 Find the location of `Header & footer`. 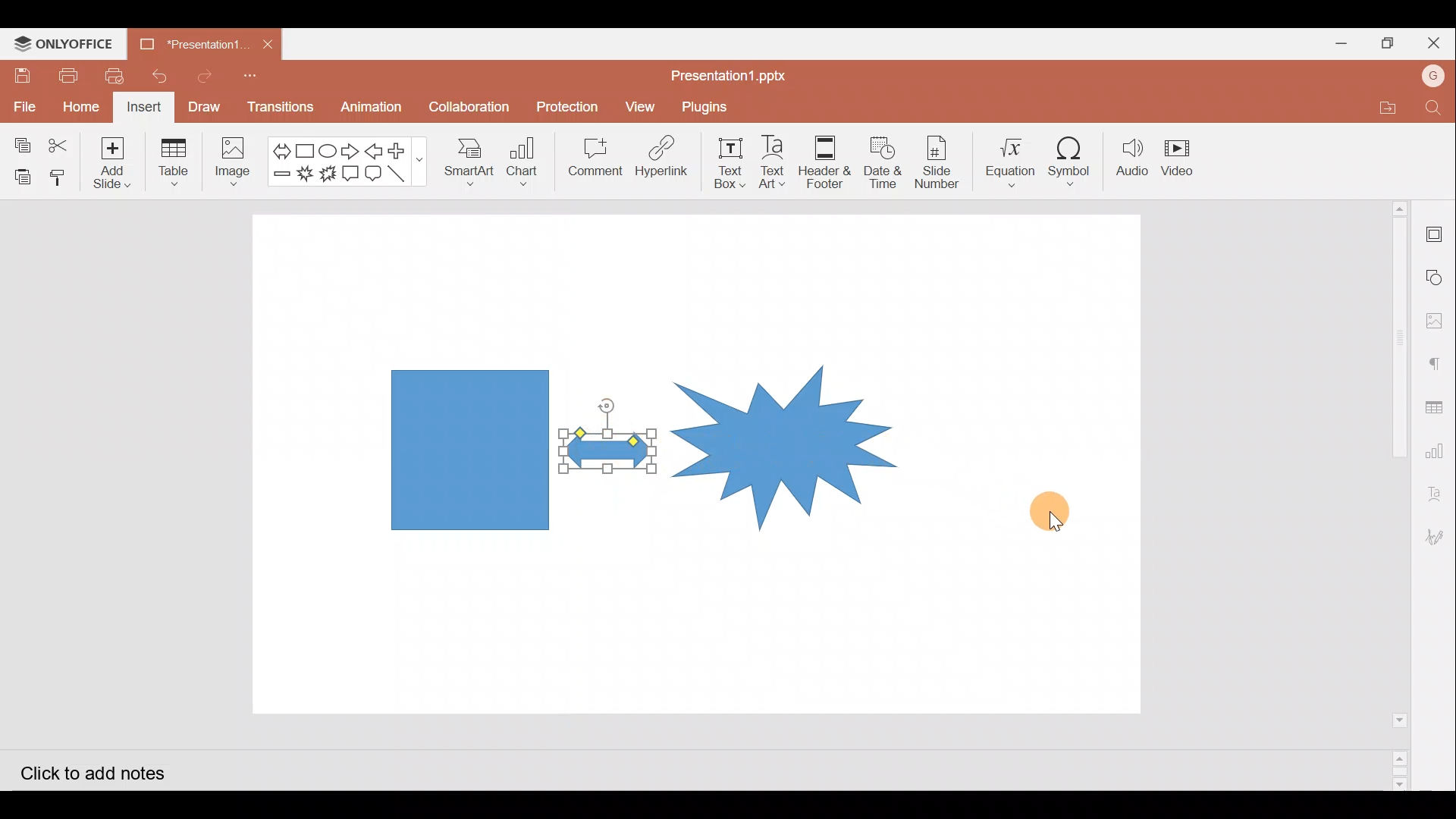

Header & footer is located at coordinates (828, 162).